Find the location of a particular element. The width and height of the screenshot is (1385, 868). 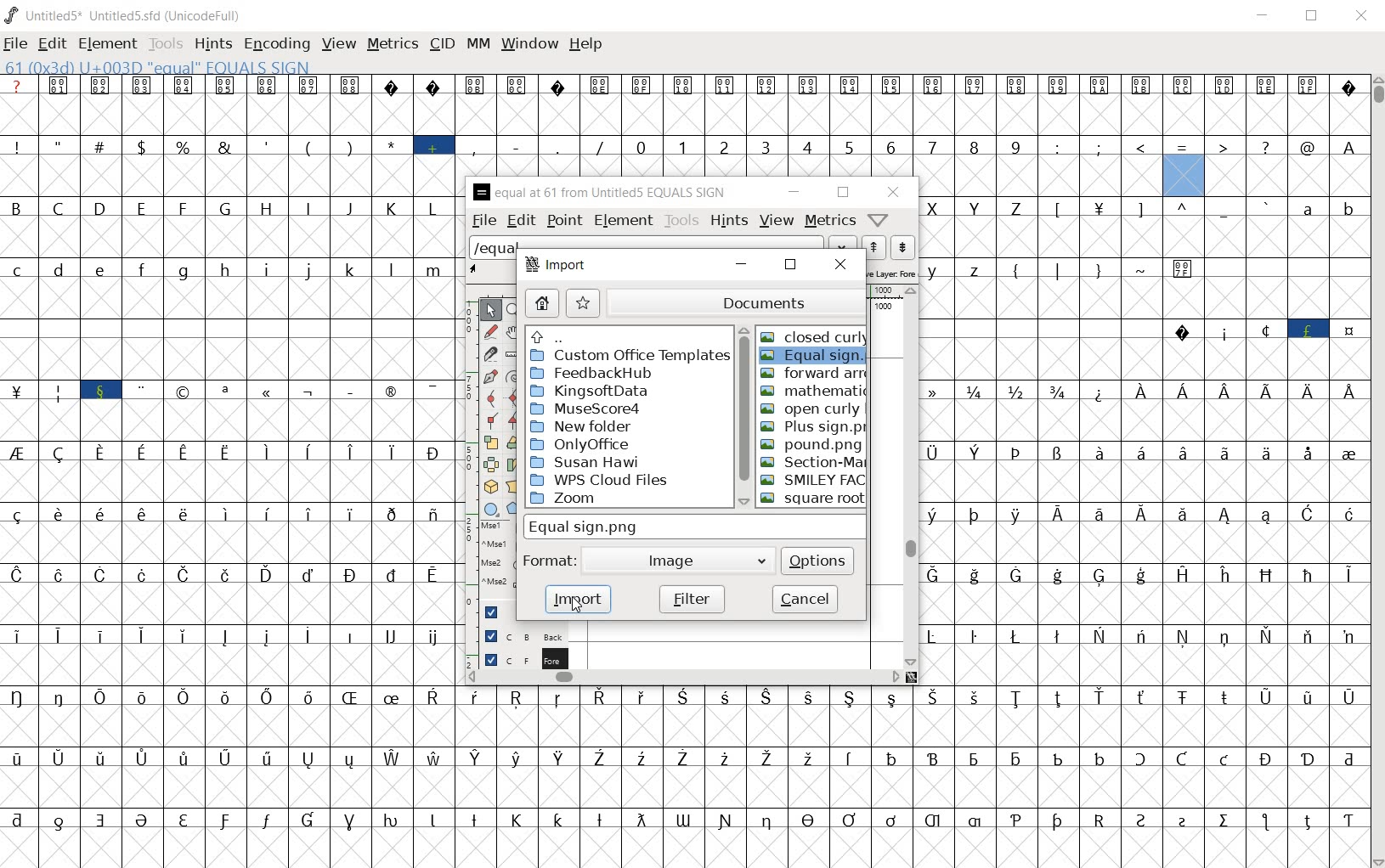

glyph characters is located at coordinates (806, 125).